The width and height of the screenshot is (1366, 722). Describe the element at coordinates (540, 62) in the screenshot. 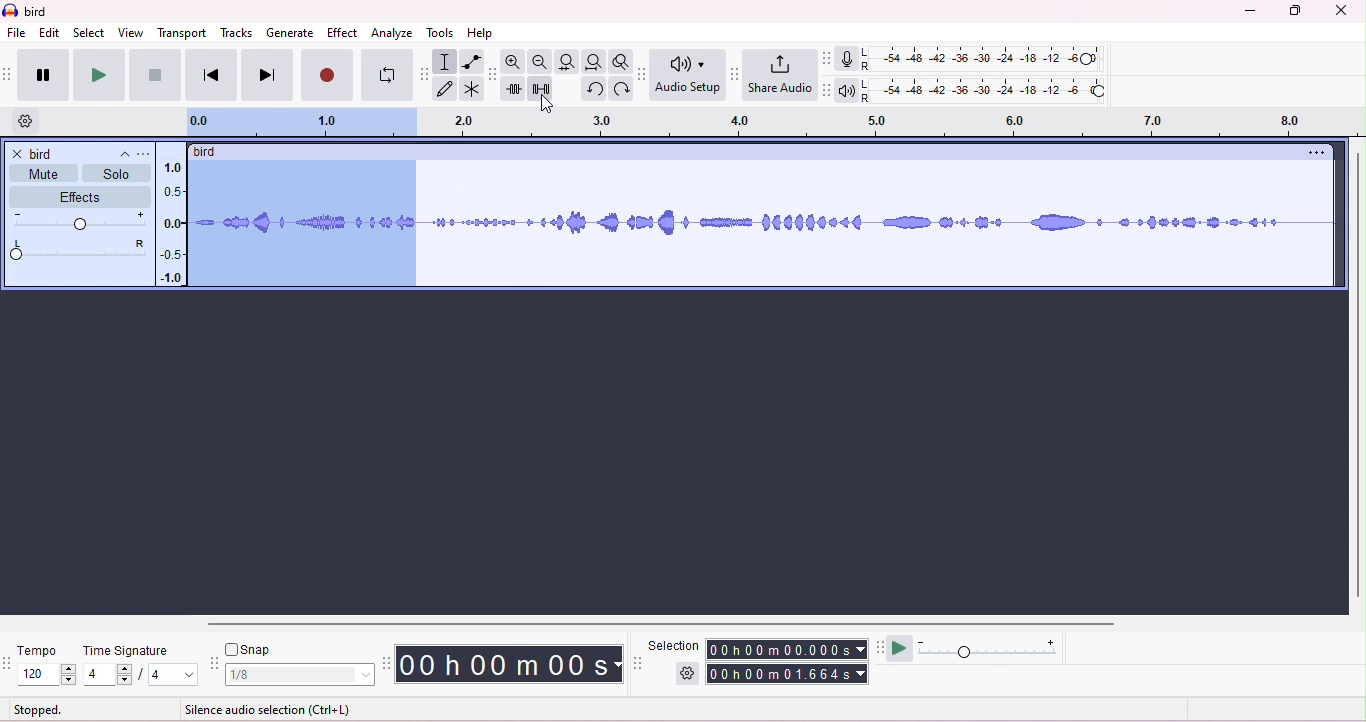

I see `zoom out` at that location.